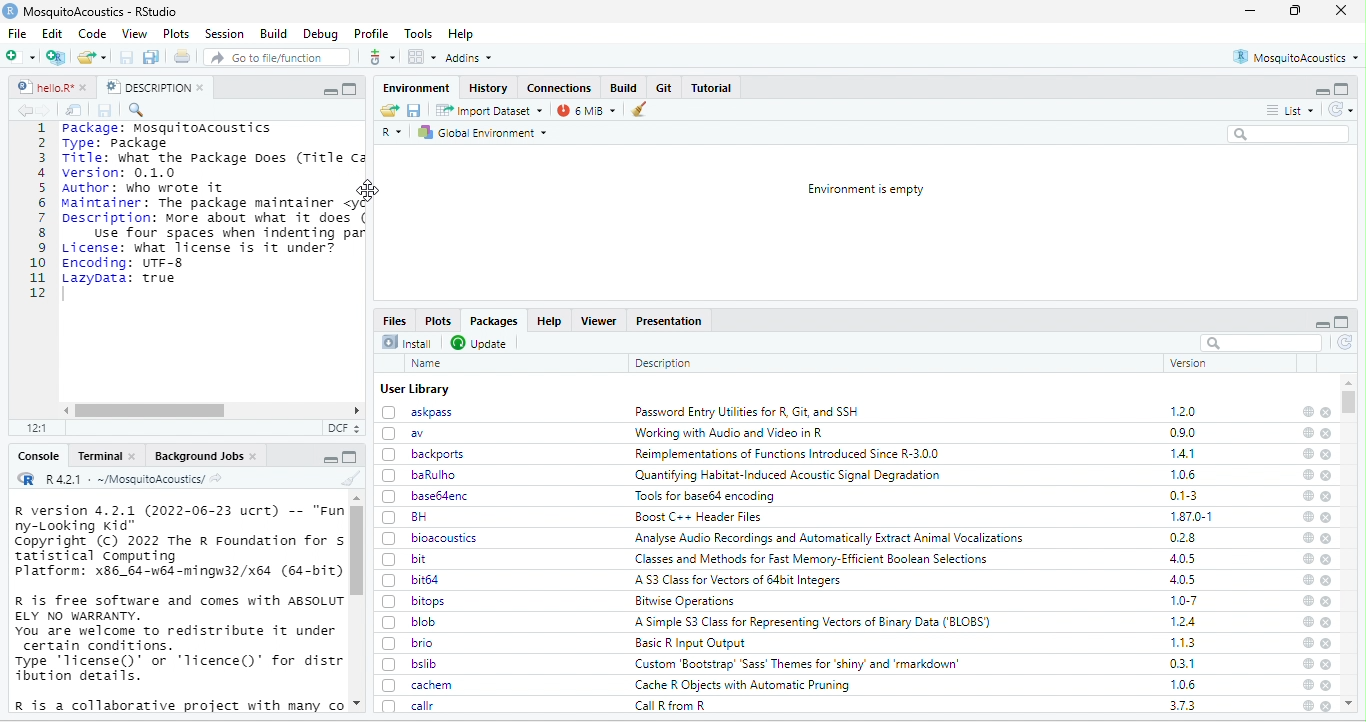 The height and width of the screenshot is (722, 1366). I want to click on Classes and Methods for Fast Memory-Efficient Boolean Selections, so click(810, 559).